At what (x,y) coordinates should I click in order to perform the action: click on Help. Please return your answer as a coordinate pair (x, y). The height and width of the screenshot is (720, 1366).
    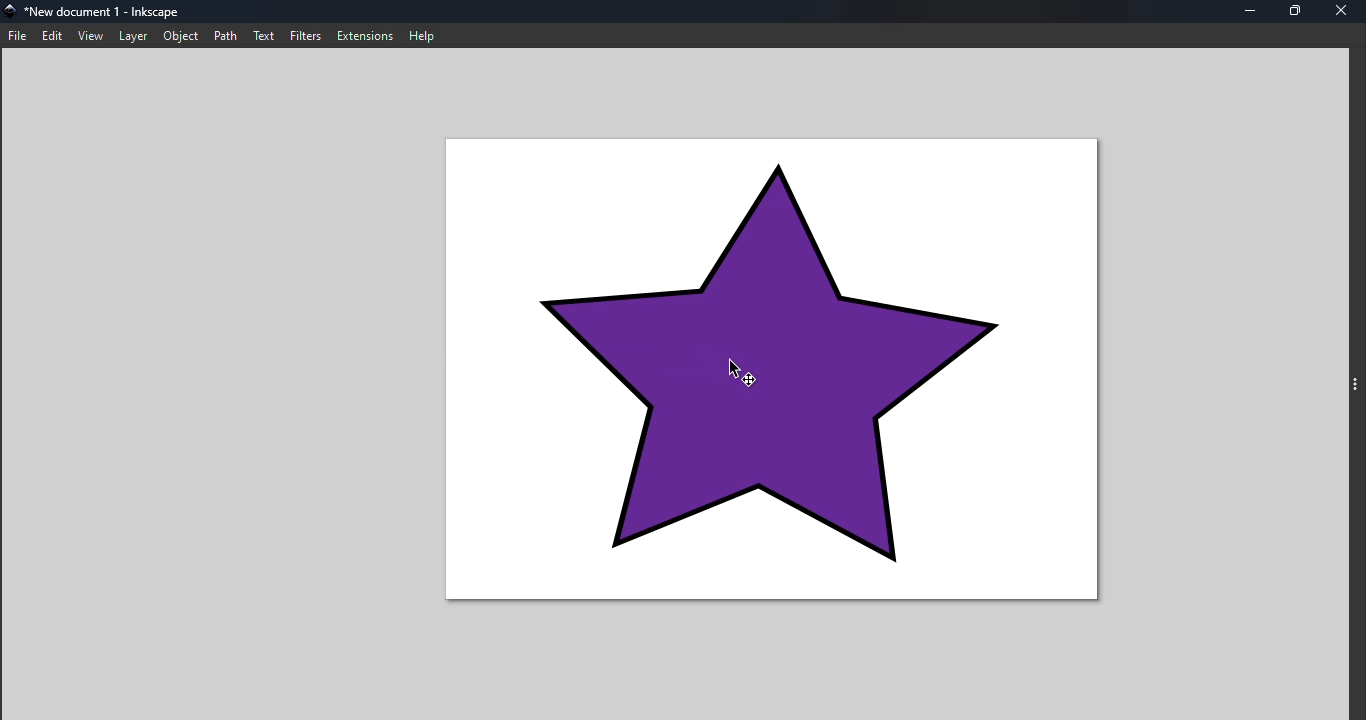
    Looking at the image, I should click on (426, 35).